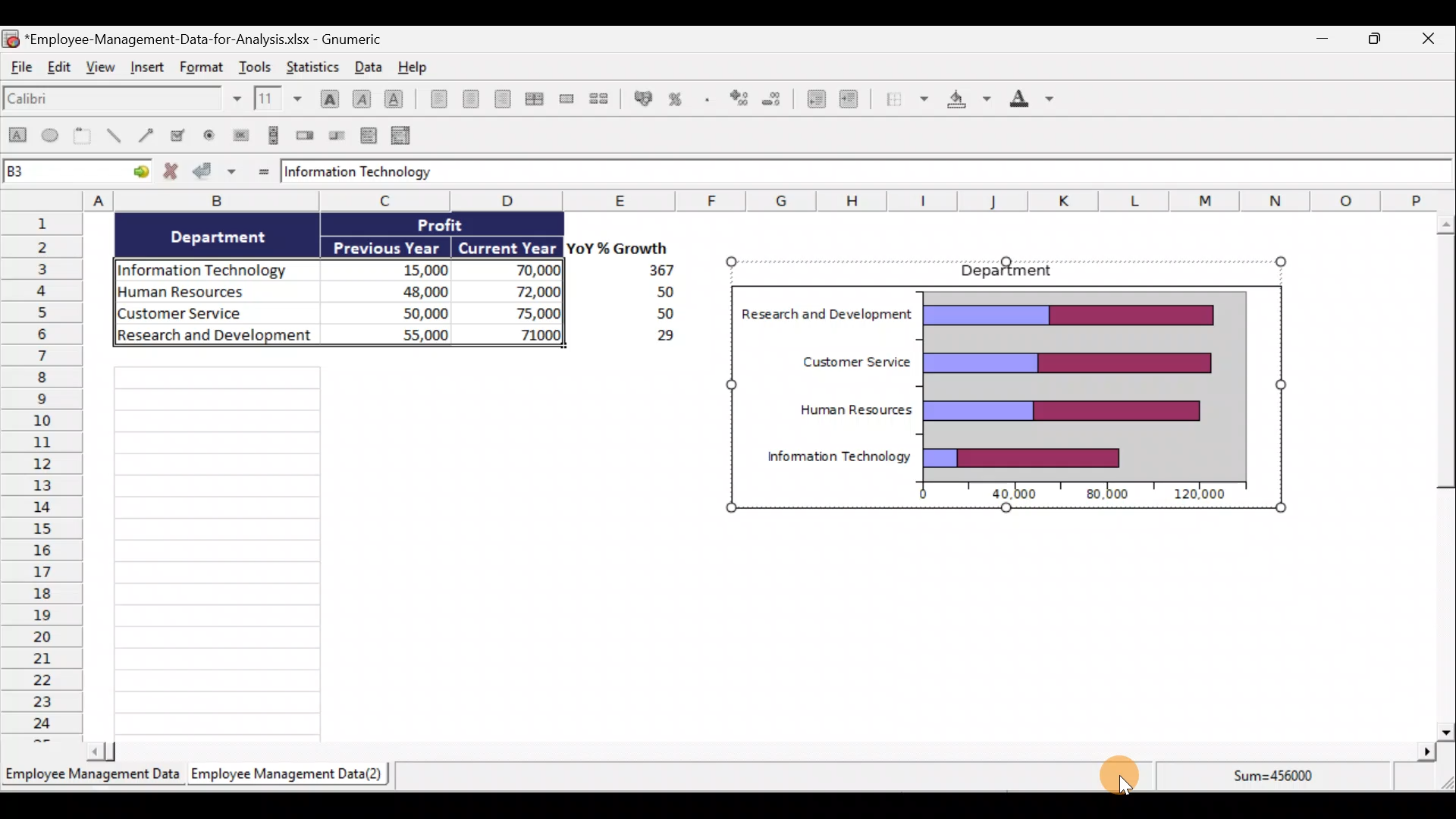  Describe the element at coordinates (62, 71) in the screenshot. I see `Edit` at that location.